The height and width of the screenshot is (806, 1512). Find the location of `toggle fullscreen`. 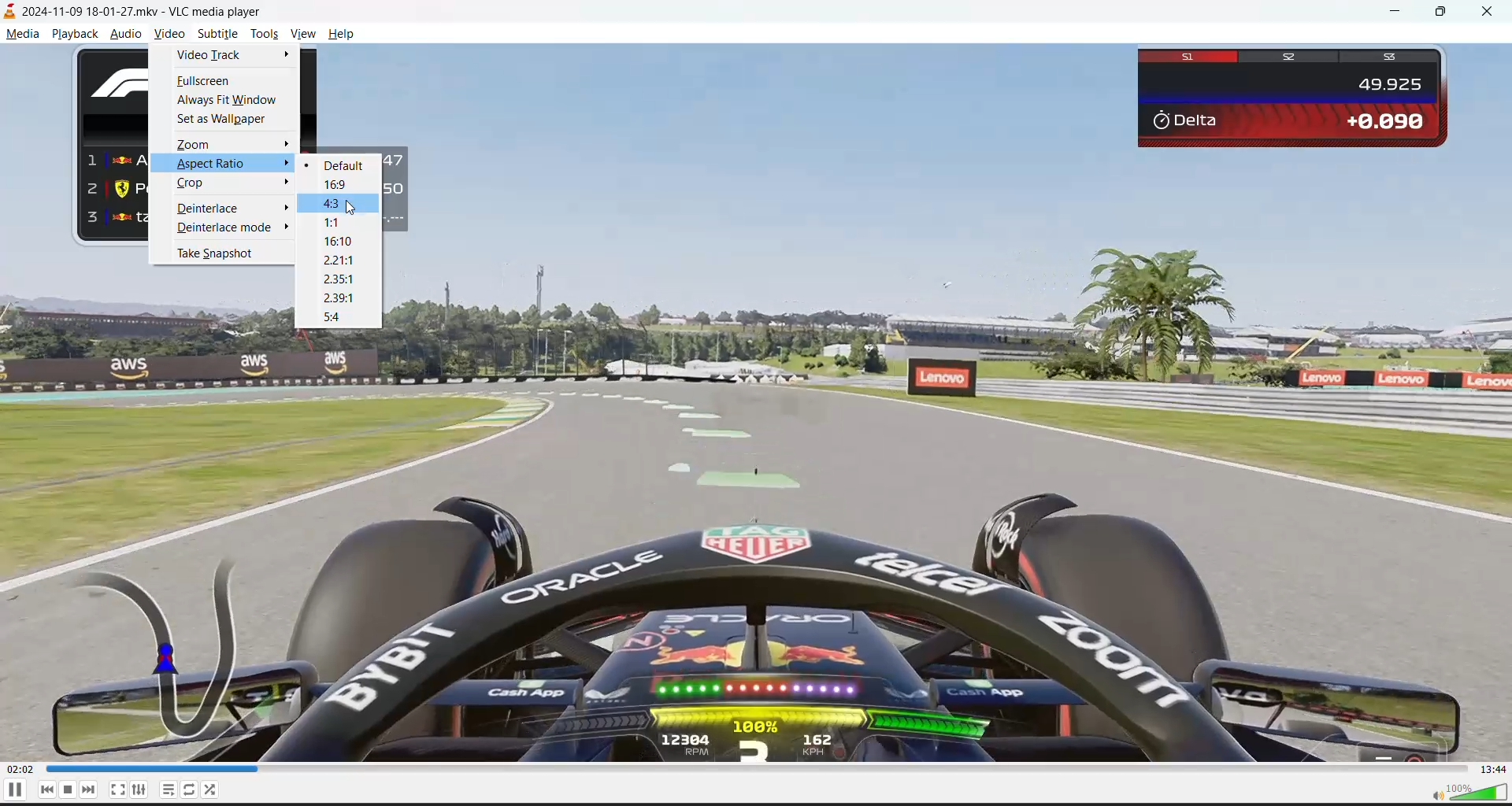

toggle fullscreen is located at coordinates (117, 789).